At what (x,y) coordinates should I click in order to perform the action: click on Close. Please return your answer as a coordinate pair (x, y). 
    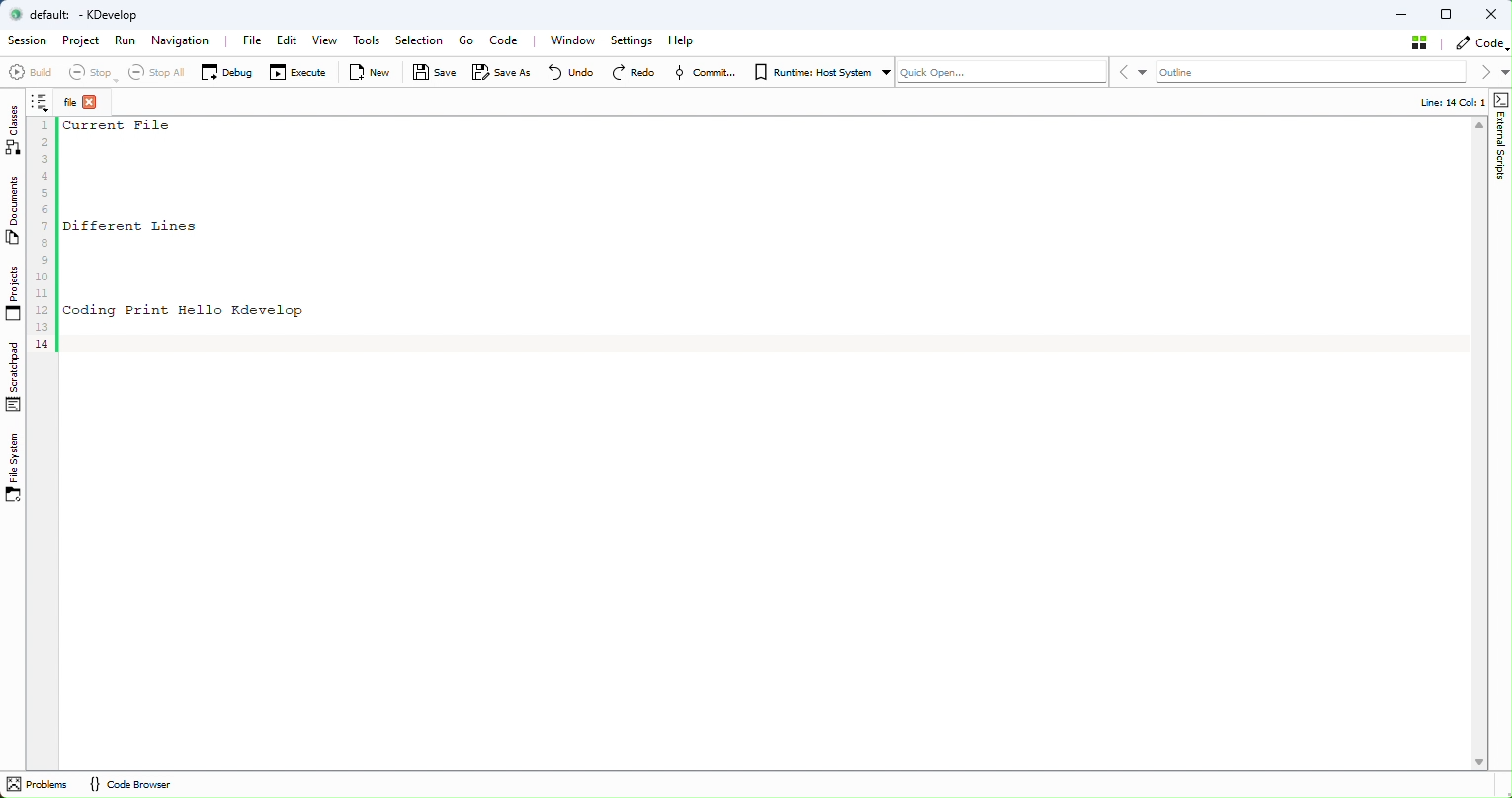
    Looking at the image, I should click on (1492, 14).